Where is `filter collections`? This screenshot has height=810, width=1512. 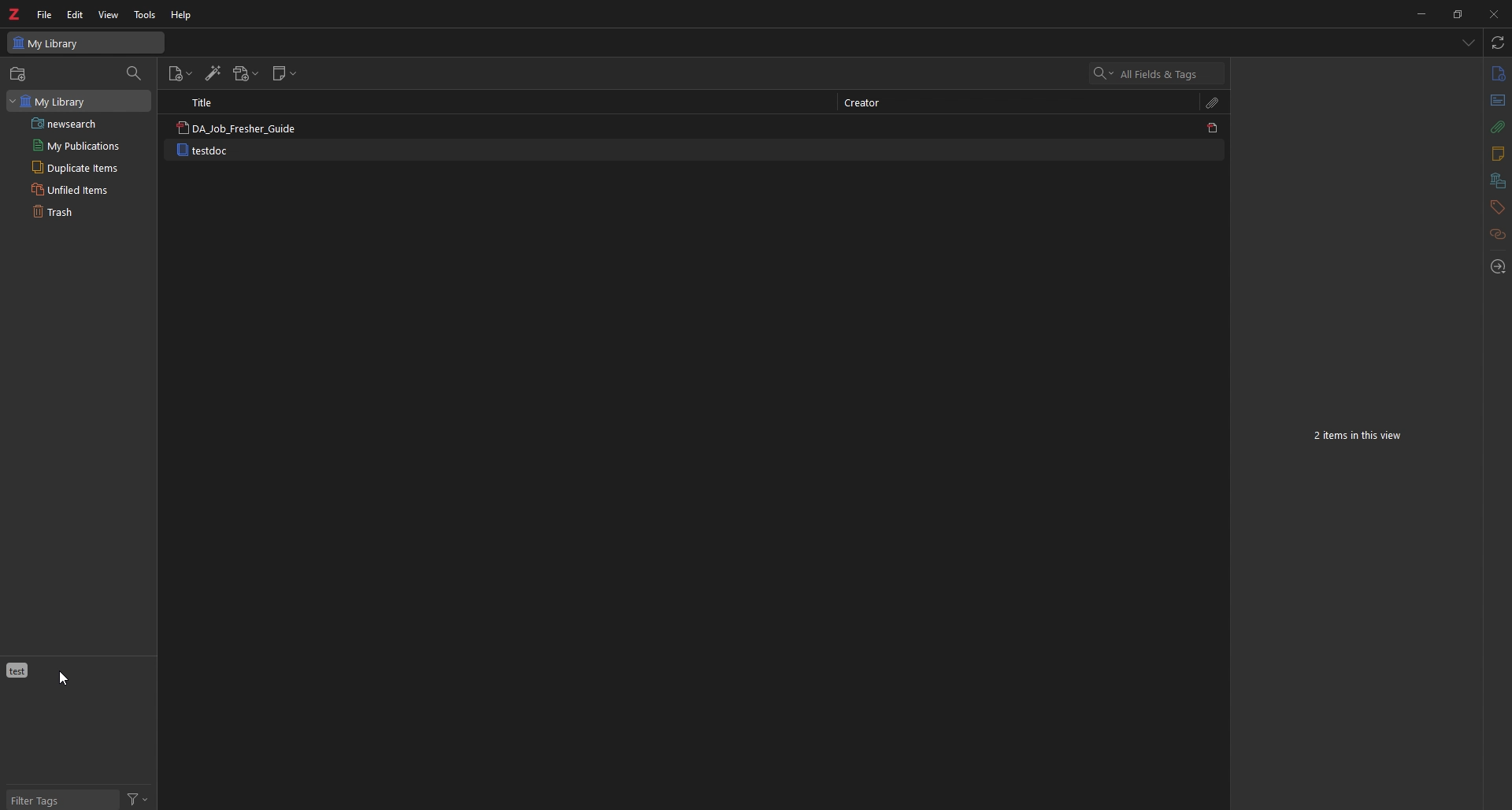
filter collections is located at coordinates (134, 75).